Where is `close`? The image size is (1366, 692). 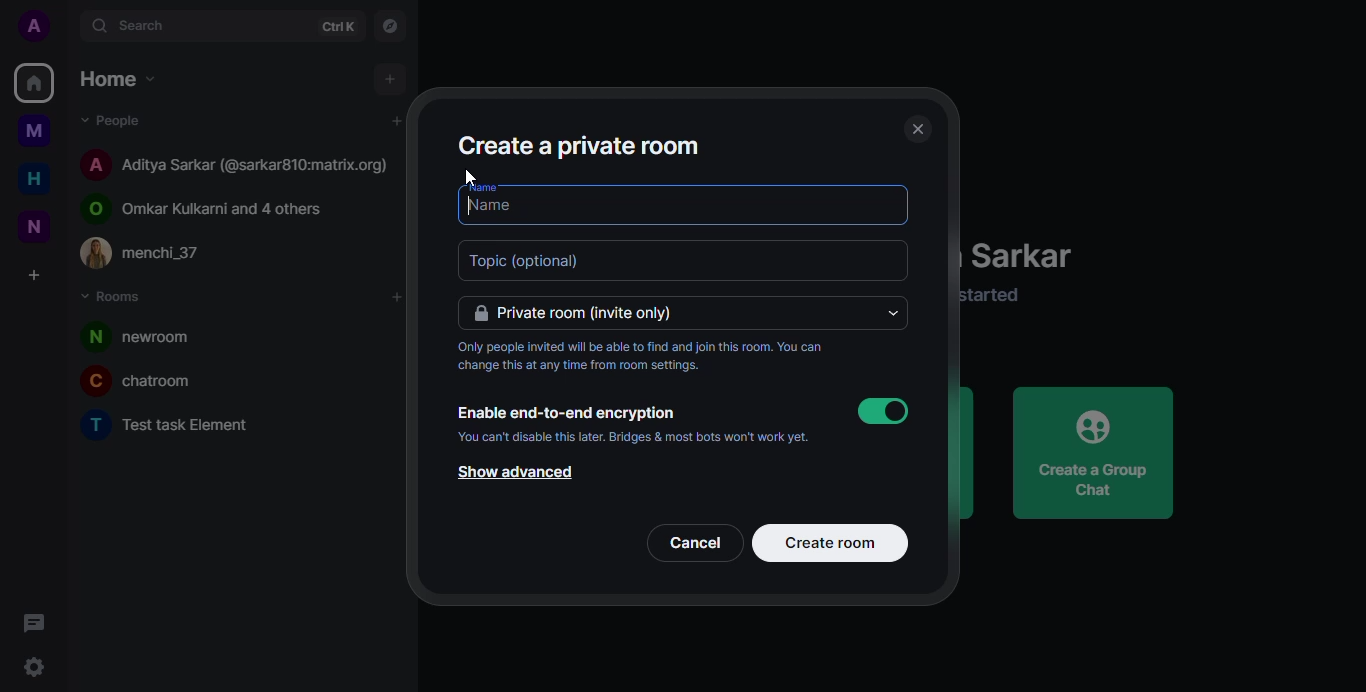 close is located at coordinates (917, 127).